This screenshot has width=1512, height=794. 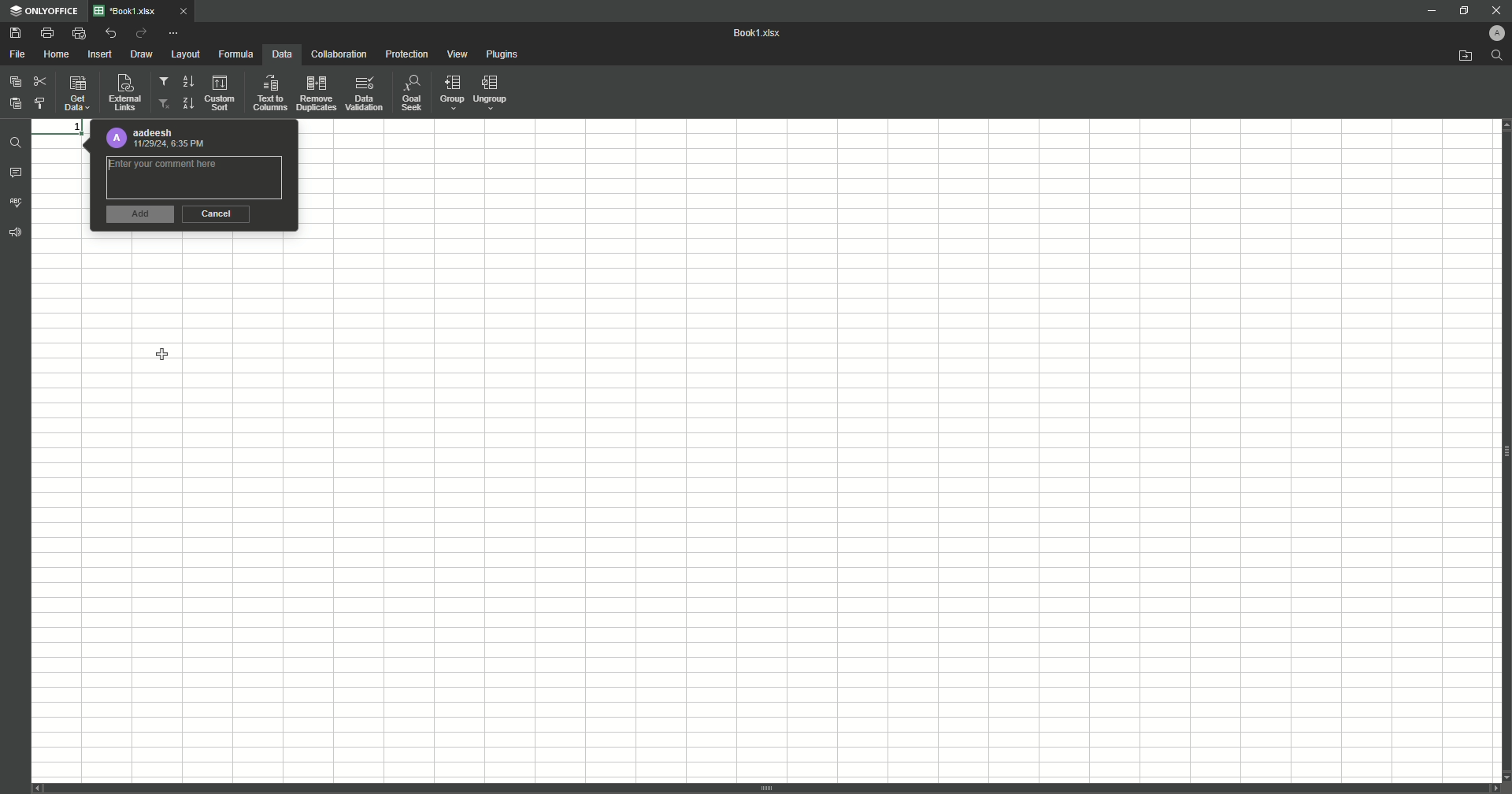 What do you see at coordinates (157, 139) in the screenshot?
I see `Profile details` at bounding box center [157, 139].